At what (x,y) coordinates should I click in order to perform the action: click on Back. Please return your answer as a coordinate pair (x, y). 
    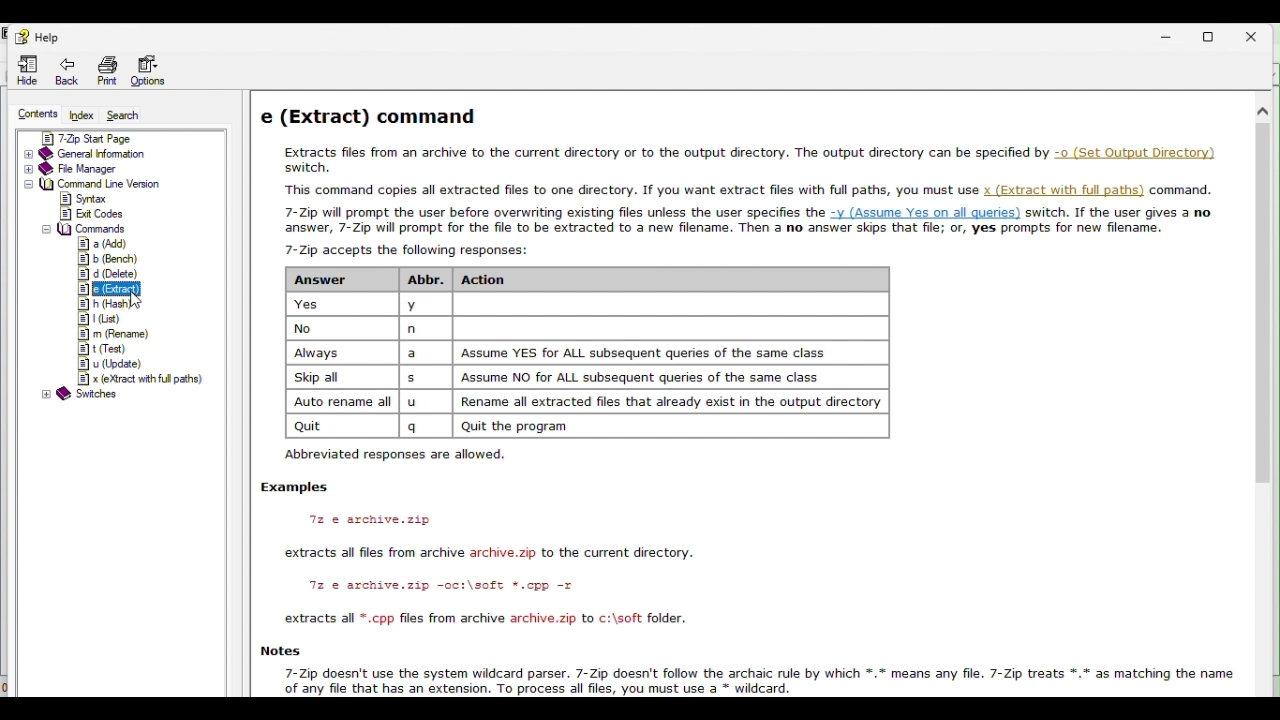
    Looking at the image, I should click on (67, 70).